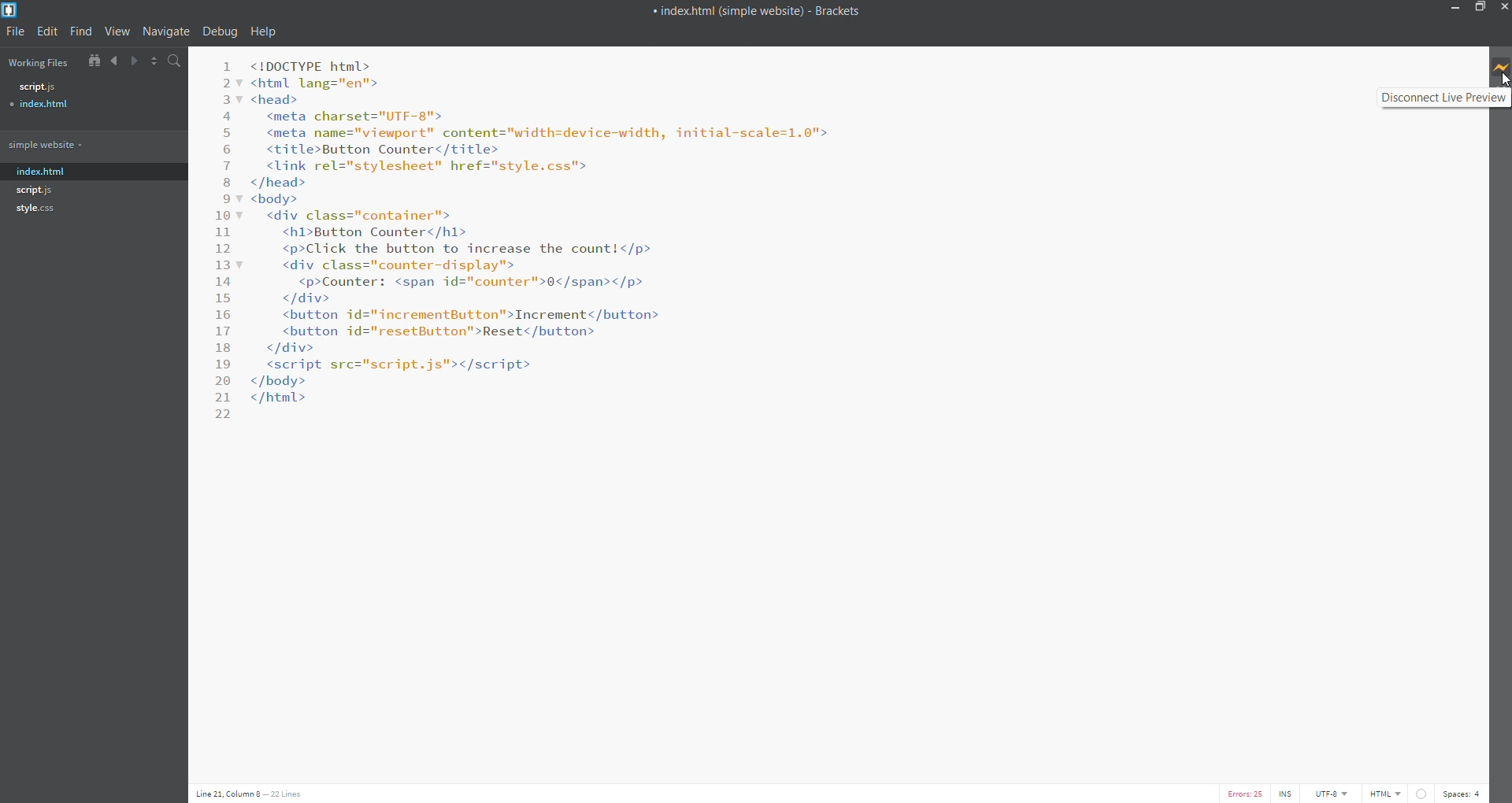 This screenshot has height=803, width=1512. I want to click on cursor position, so click(264, 794).